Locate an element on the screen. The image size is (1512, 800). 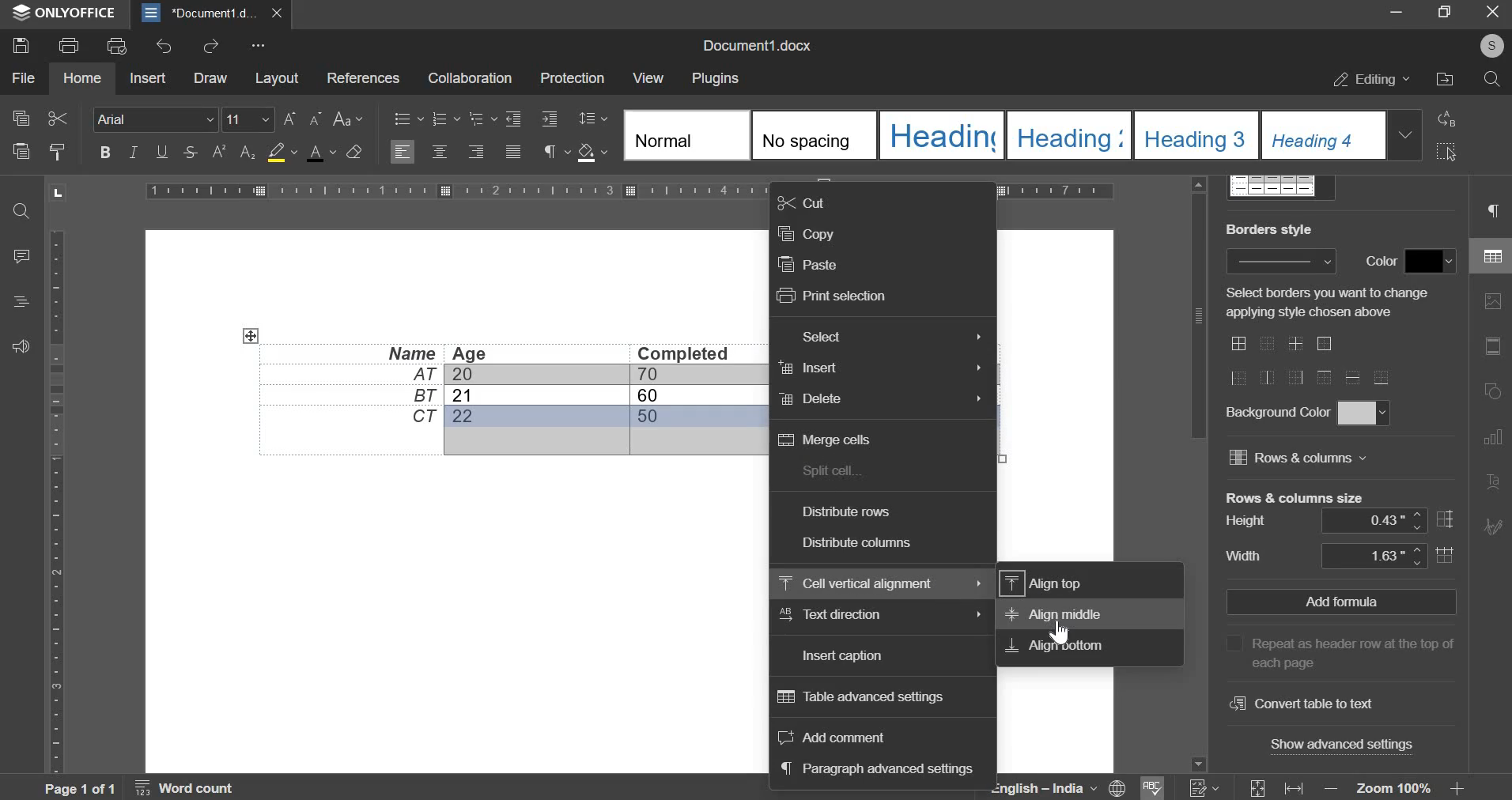
paragraph advanced settings is located at coordinates (876, 768).